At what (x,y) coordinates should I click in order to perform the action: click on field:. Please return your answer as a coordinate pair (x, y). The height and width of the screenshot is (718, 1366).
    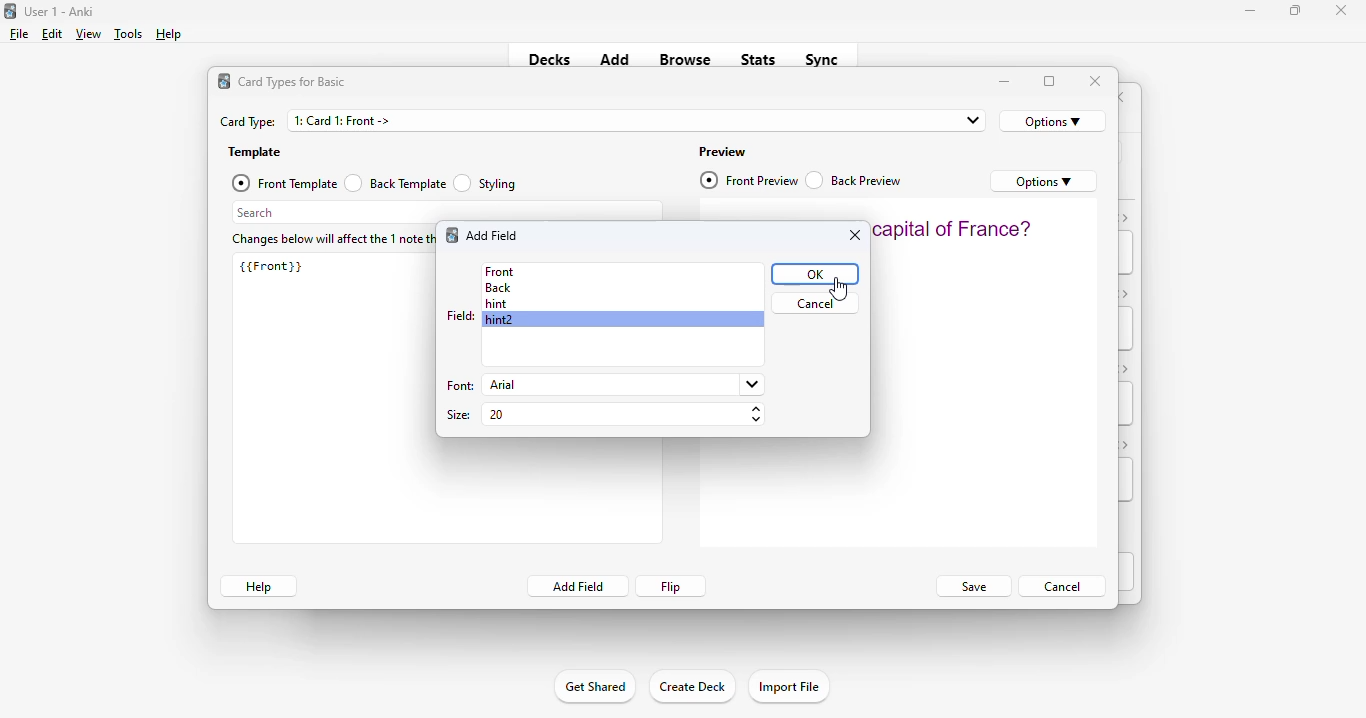
    Looking at the image, I should click on (458, 315).